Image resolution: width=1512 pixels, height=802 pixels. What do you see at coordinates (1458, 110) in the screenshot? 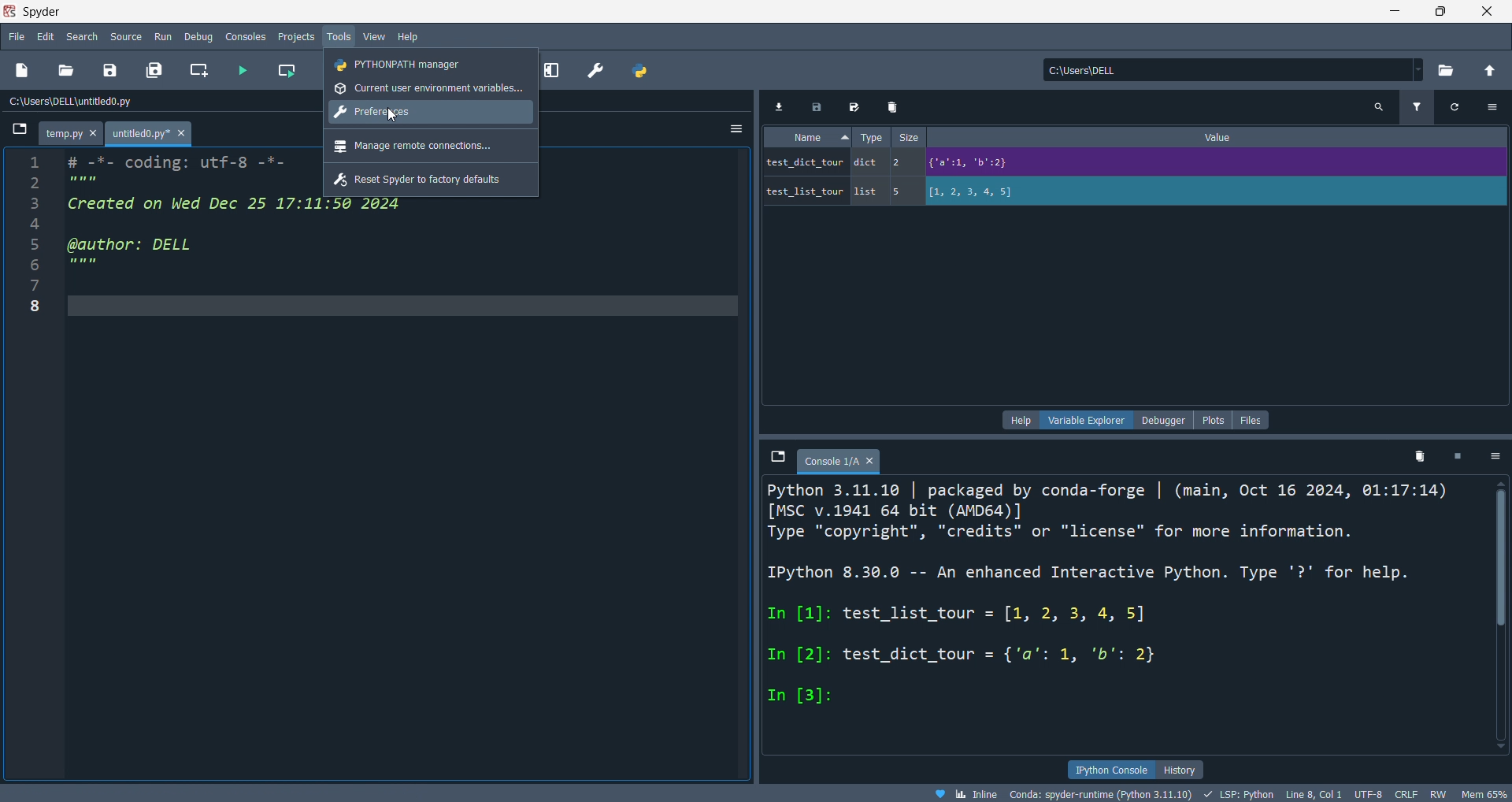
I see `refresh` at bounding box center [1458, 110].